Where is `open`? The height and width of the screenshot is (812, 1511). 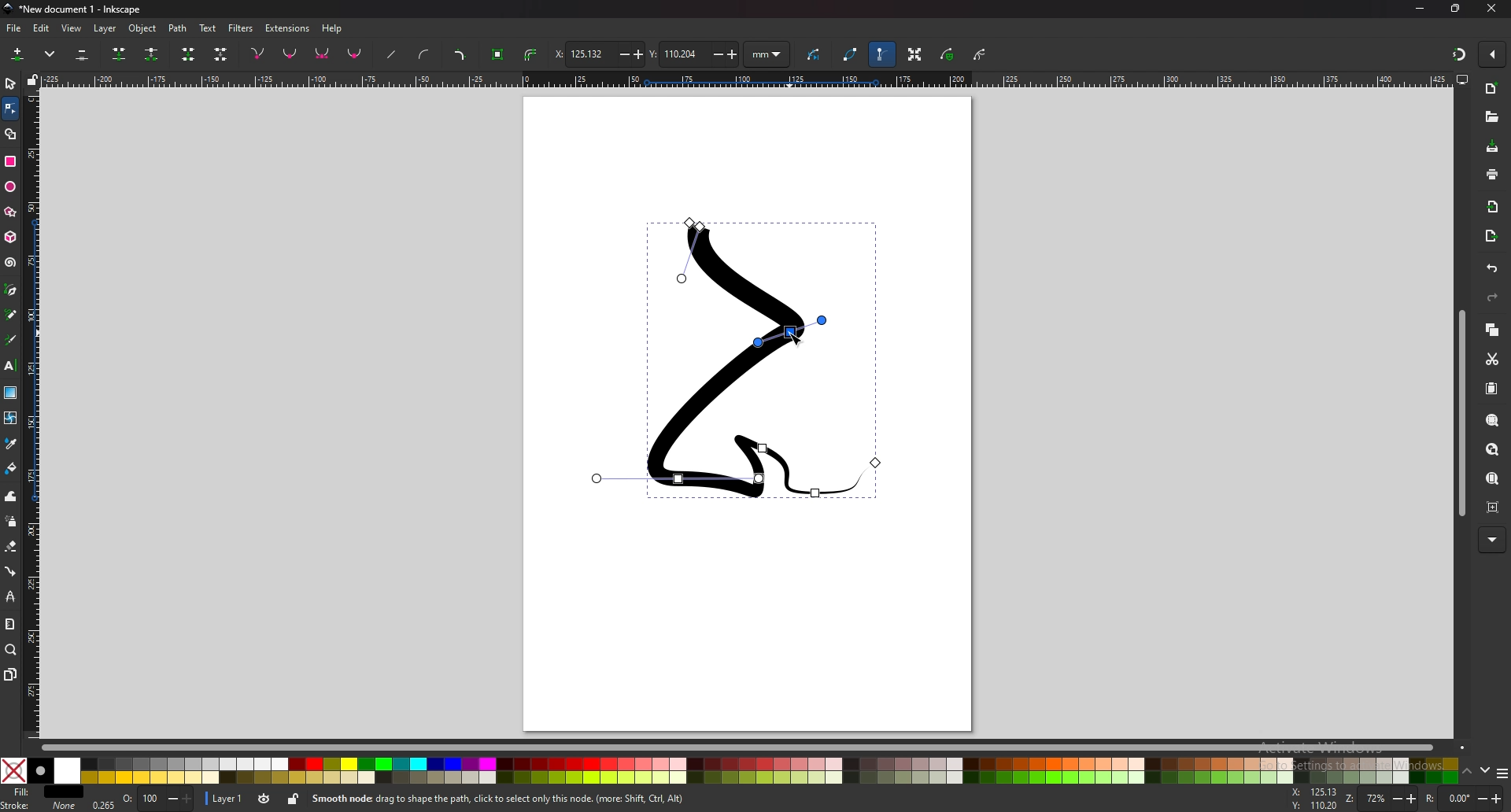
open is located at coordinates (1491, 119).